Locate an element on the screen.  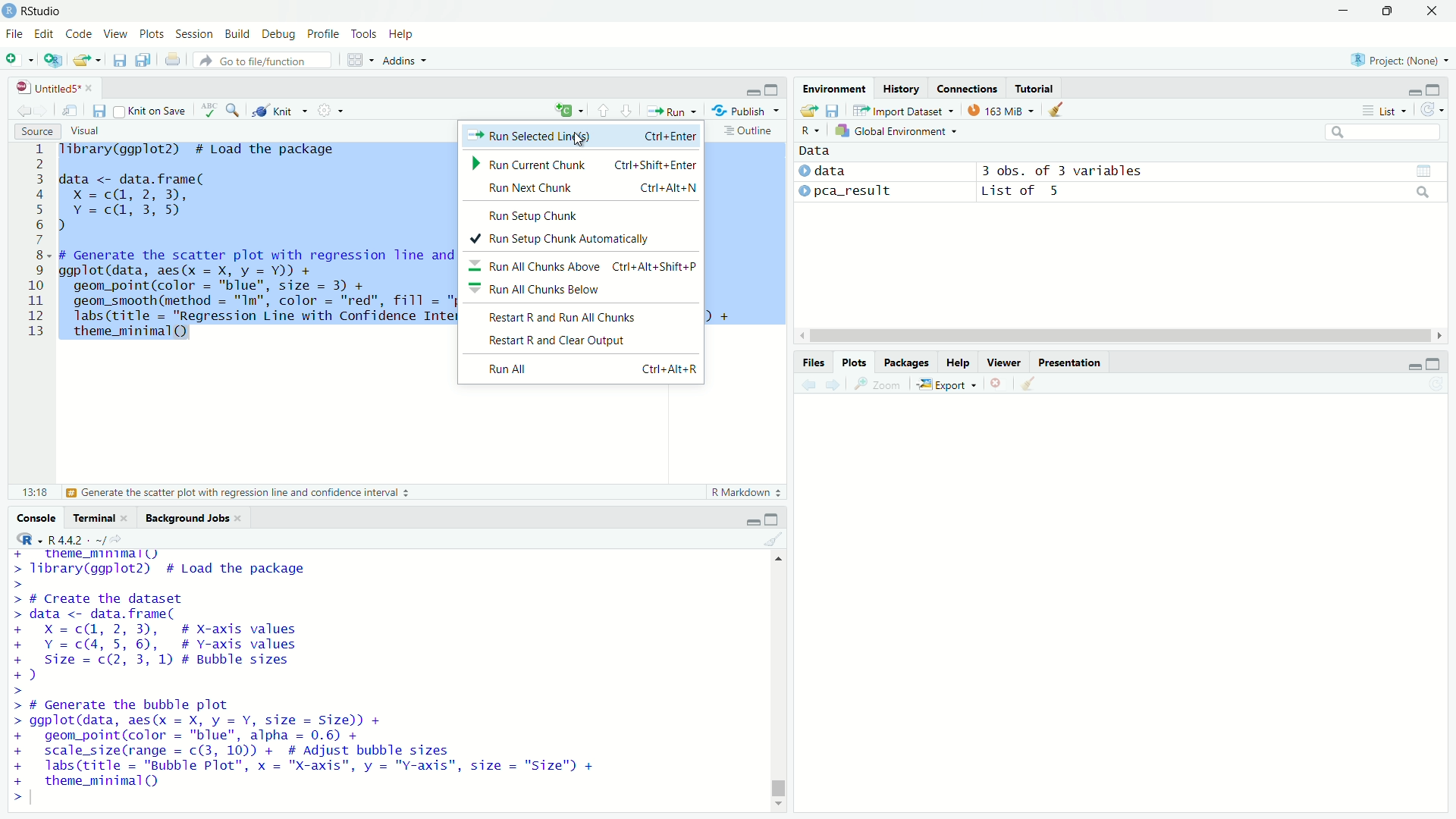
Remove current plot is located at coordinates (998, 384).